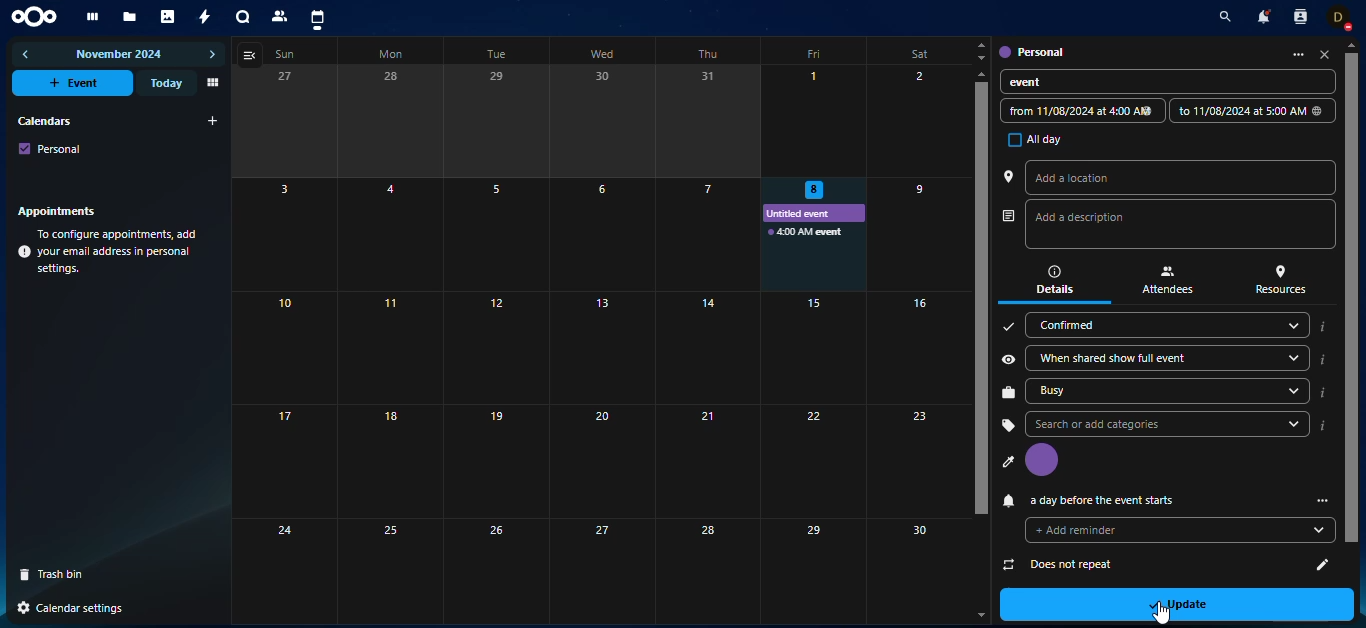 The image size is (1366, 628). I want to click on when shared show full event, so click(1109, 356).